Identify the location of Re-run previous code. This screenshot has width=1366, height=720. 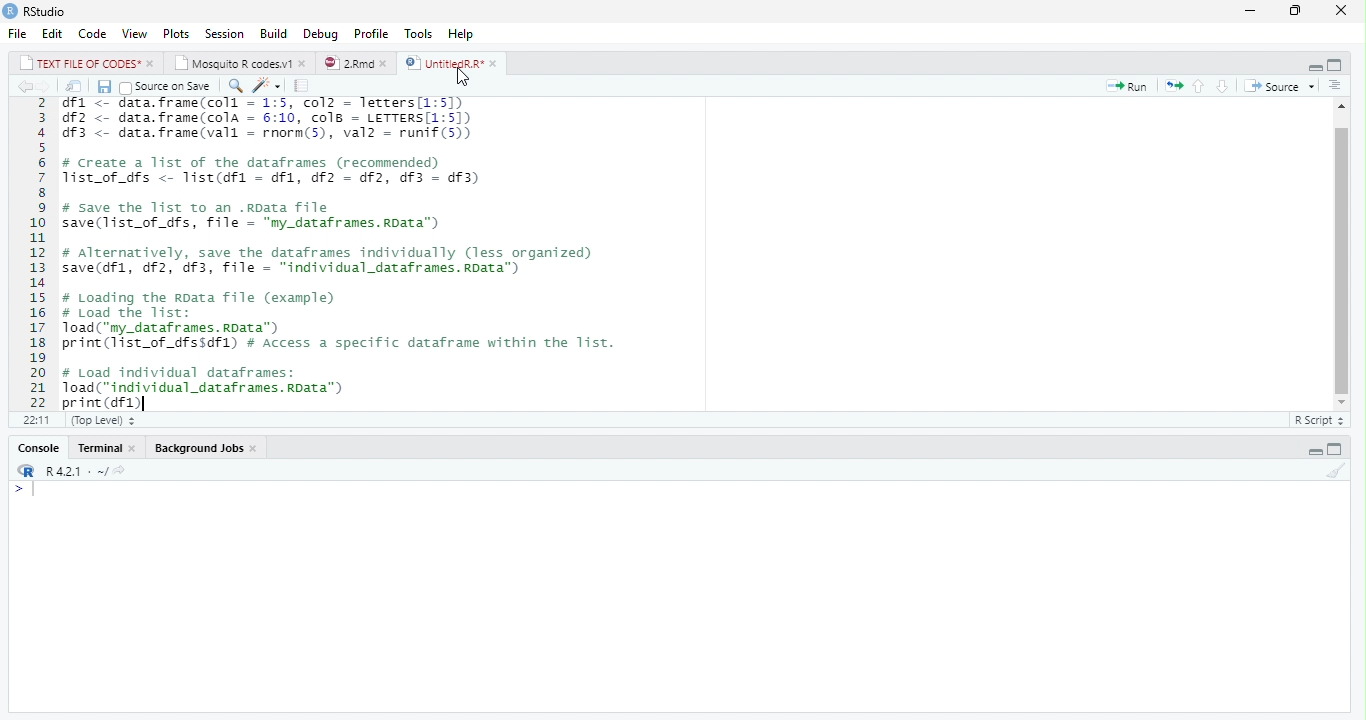
(1173, 85).